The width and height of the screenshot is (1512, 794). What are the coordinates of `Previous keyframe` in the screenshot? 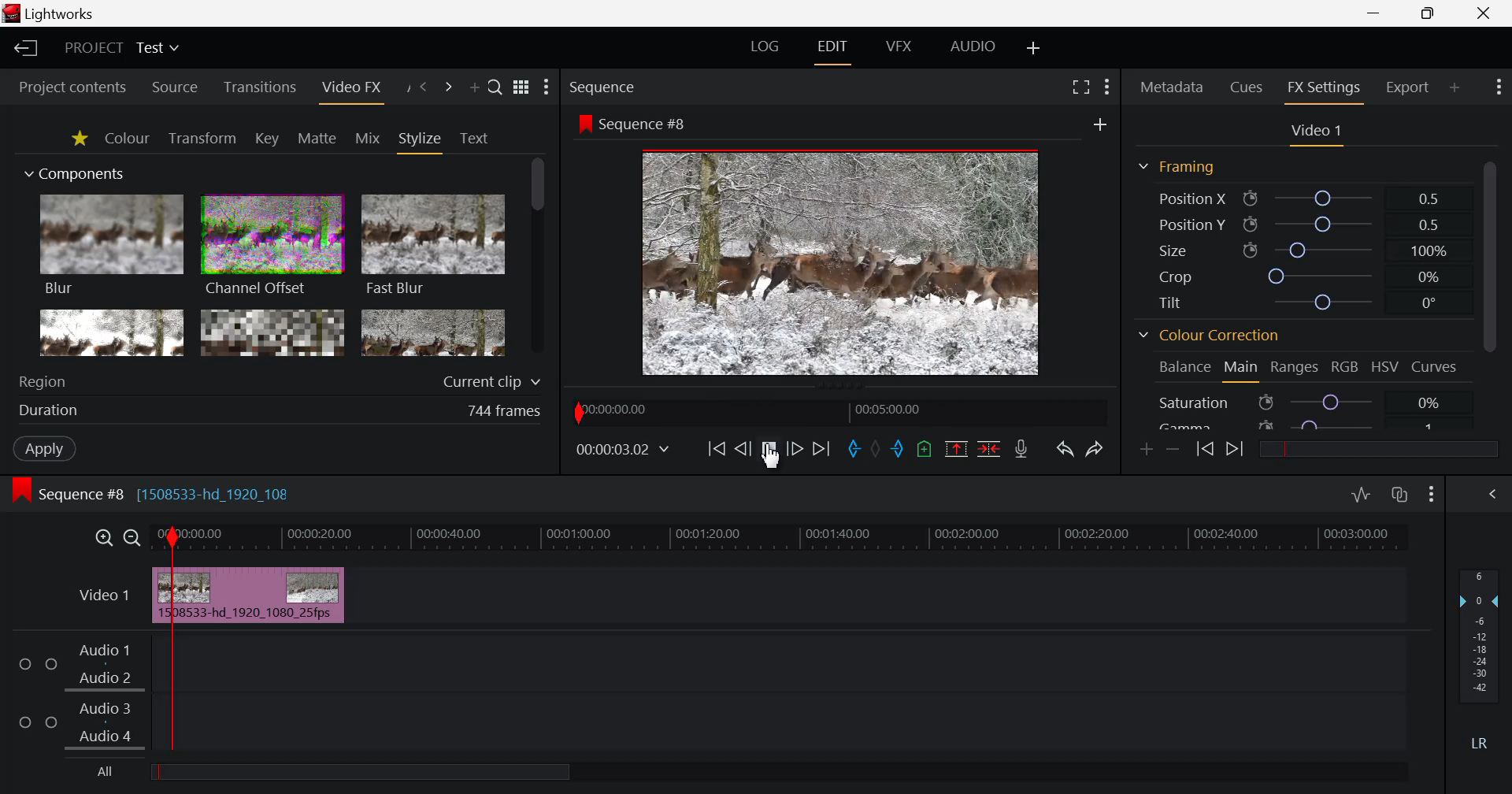 It's located at (1203, 450).